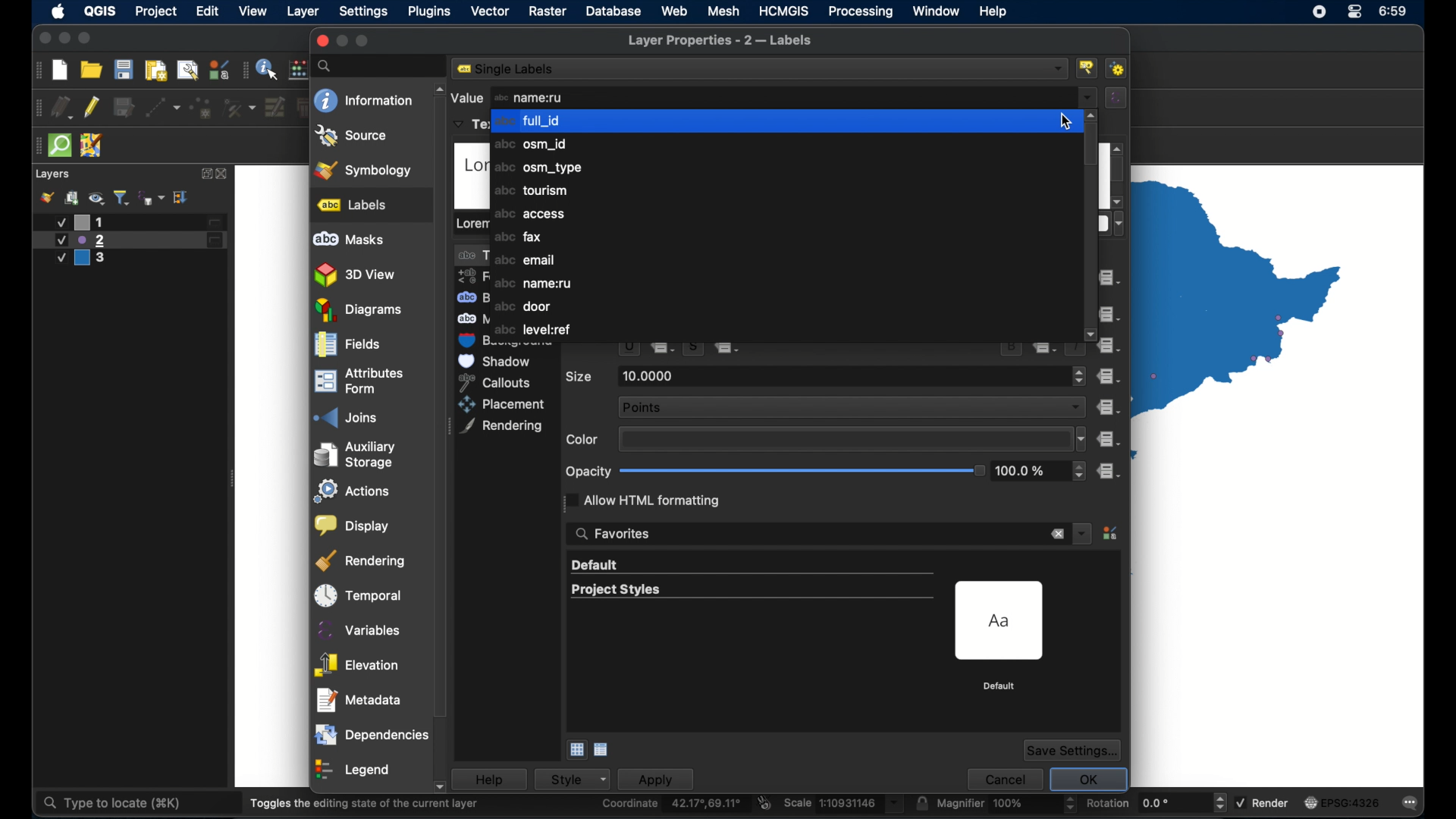 The image size is (1456, 819). I want to click on drag handle, so click(36, 70).